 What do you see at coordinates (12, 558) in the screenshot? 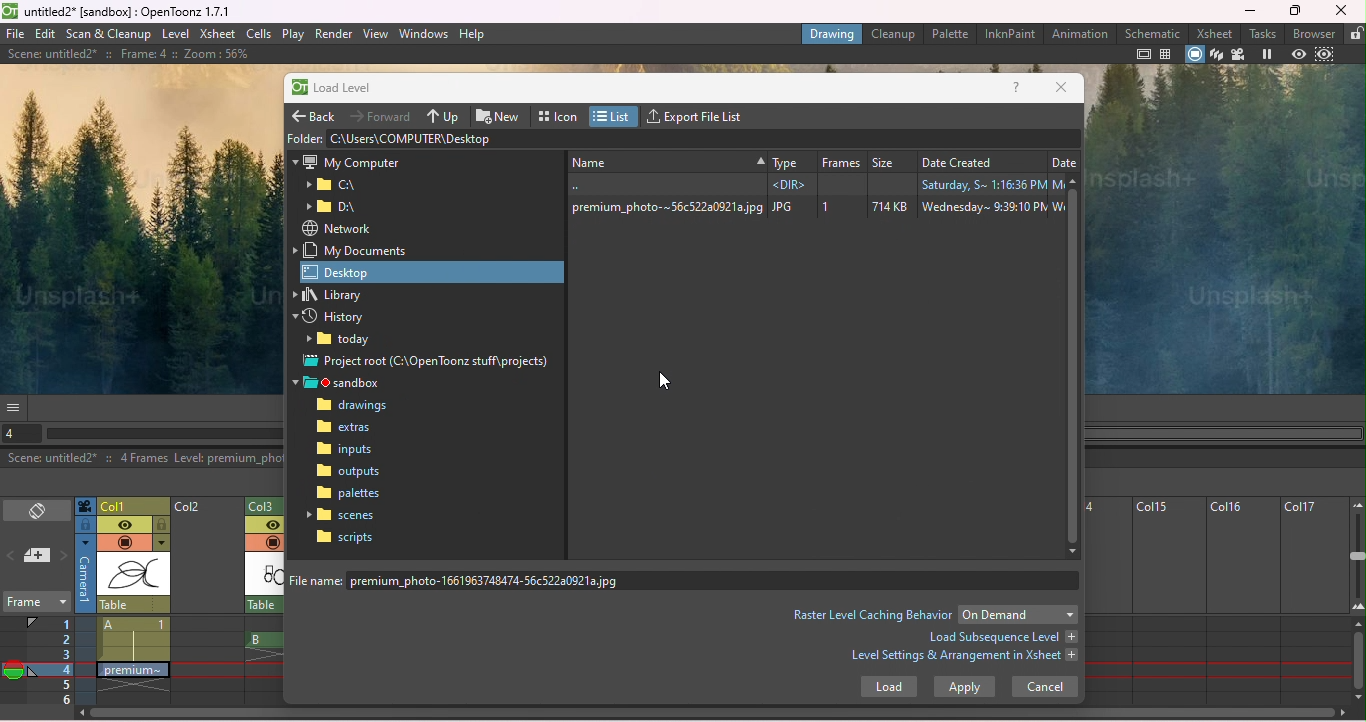
I see `Previous memo` at bounding box center [12, 558].